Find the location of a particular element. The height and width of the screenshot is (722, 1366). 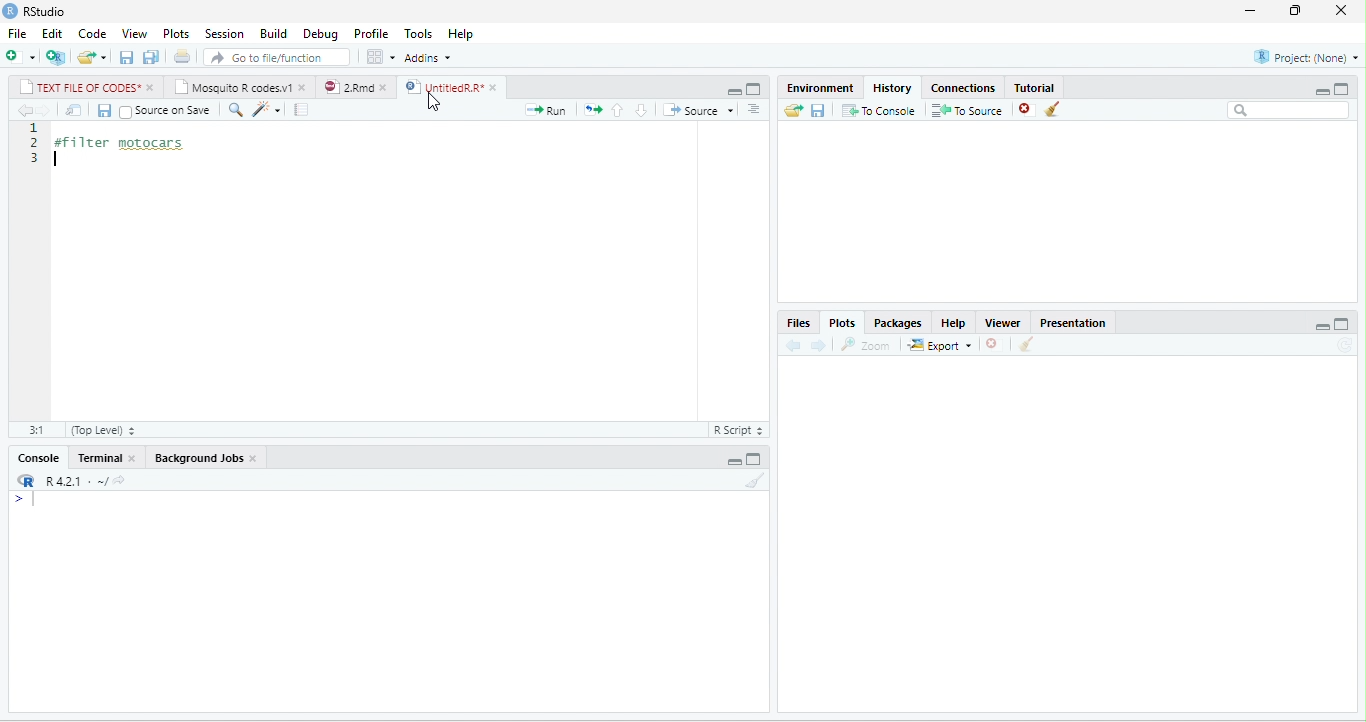

save all is located at coordinates (150, 57).